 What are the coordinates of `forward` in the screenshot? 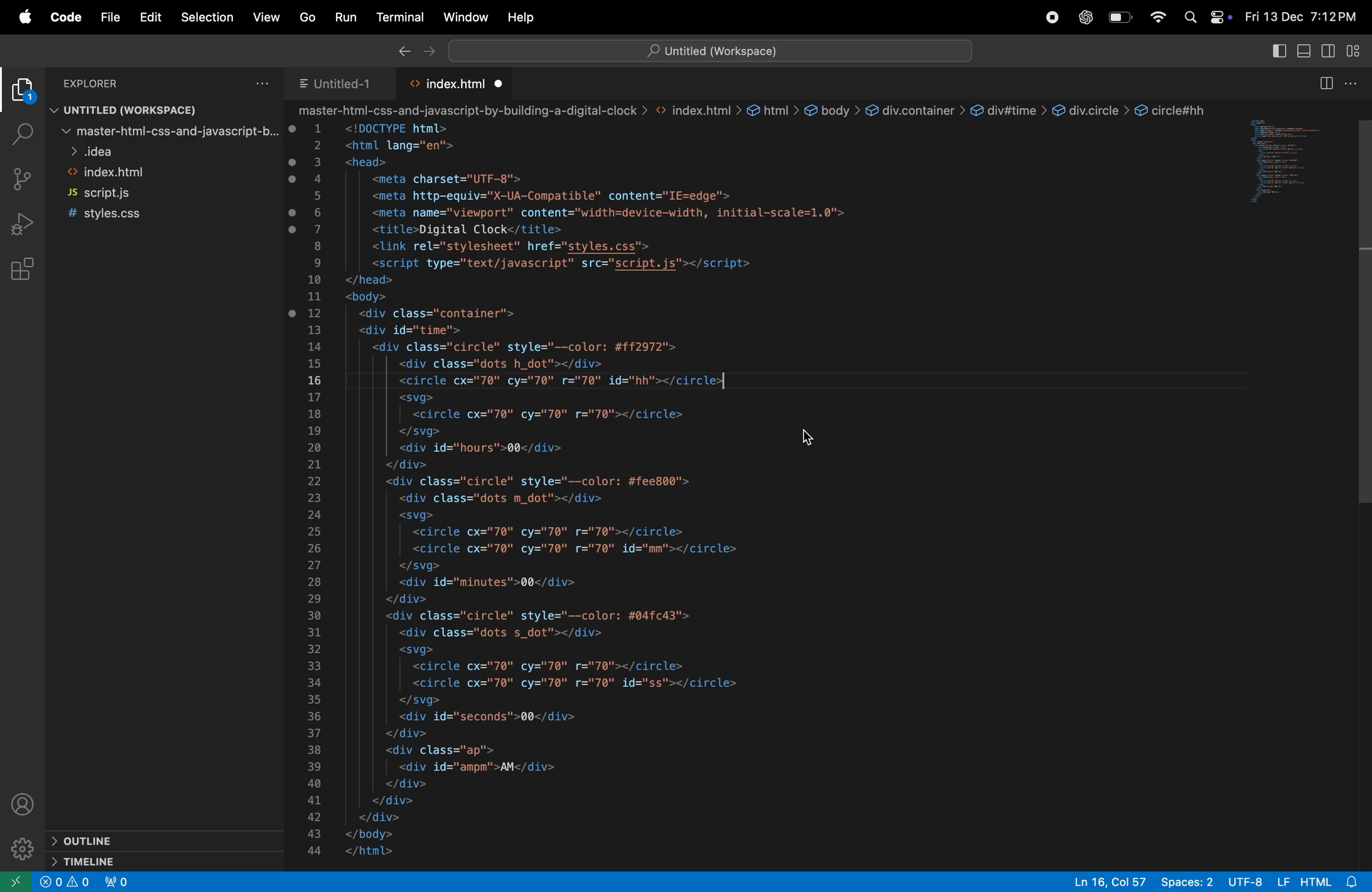 It's located at (430, 52).